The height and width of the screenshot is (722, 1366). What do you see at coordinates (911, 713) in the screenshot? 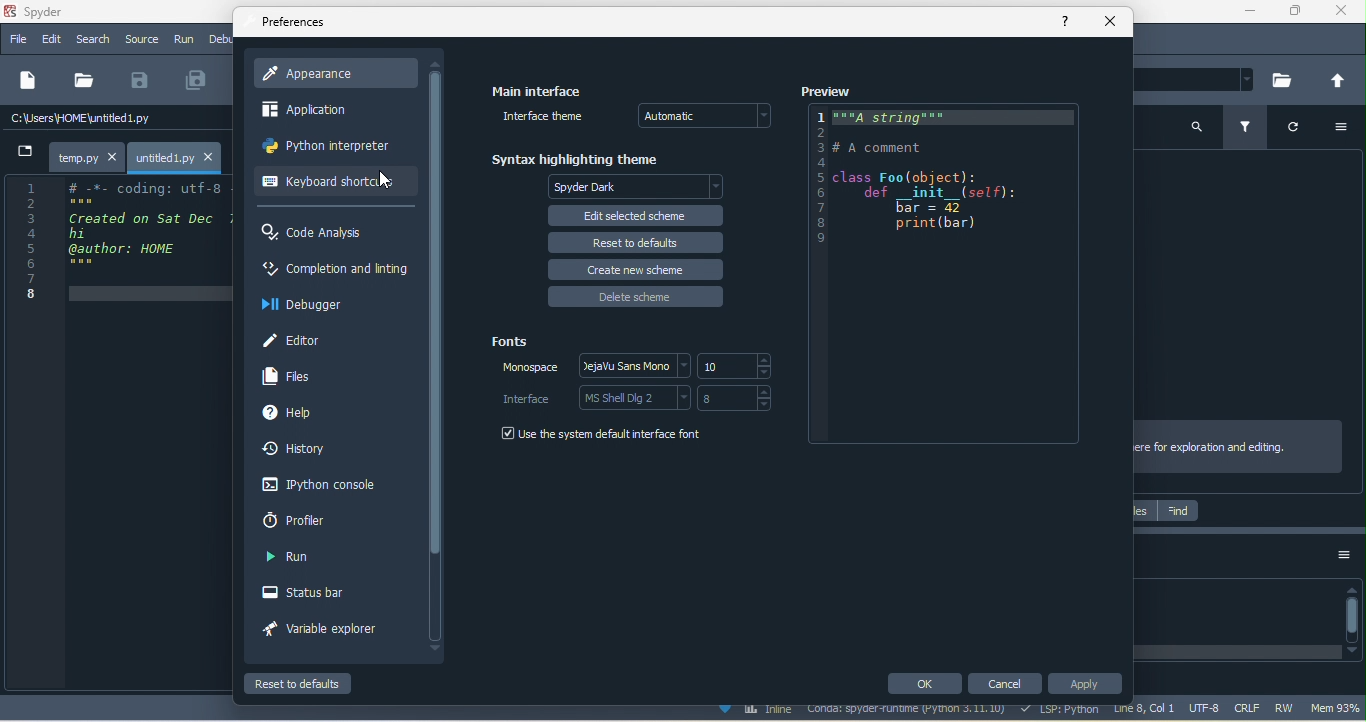
I see `conda spyder runtime` at bounding box center [911, 713].